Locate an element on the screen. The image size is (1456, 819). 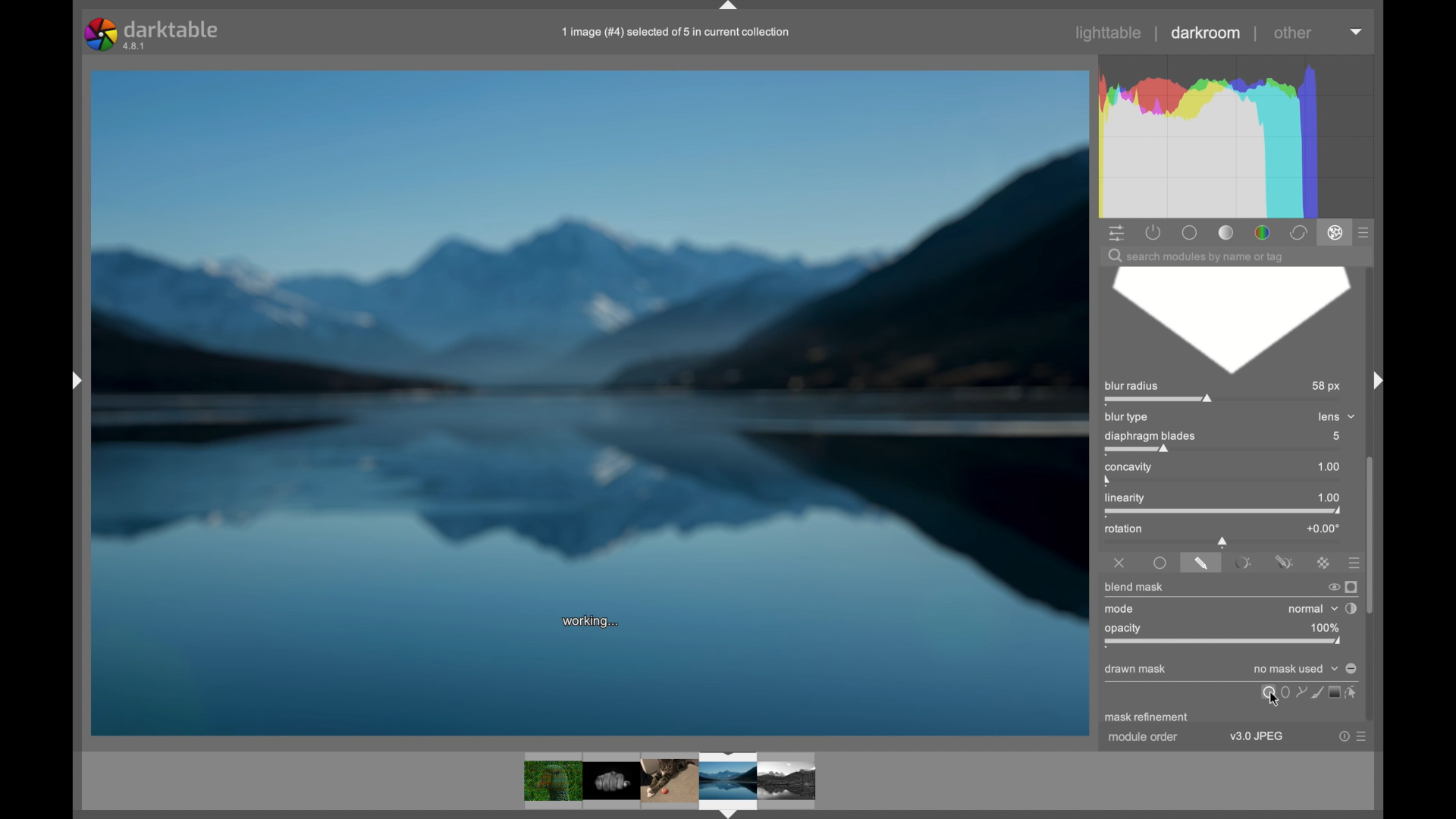
darktable is located at coordinates (151, 33).